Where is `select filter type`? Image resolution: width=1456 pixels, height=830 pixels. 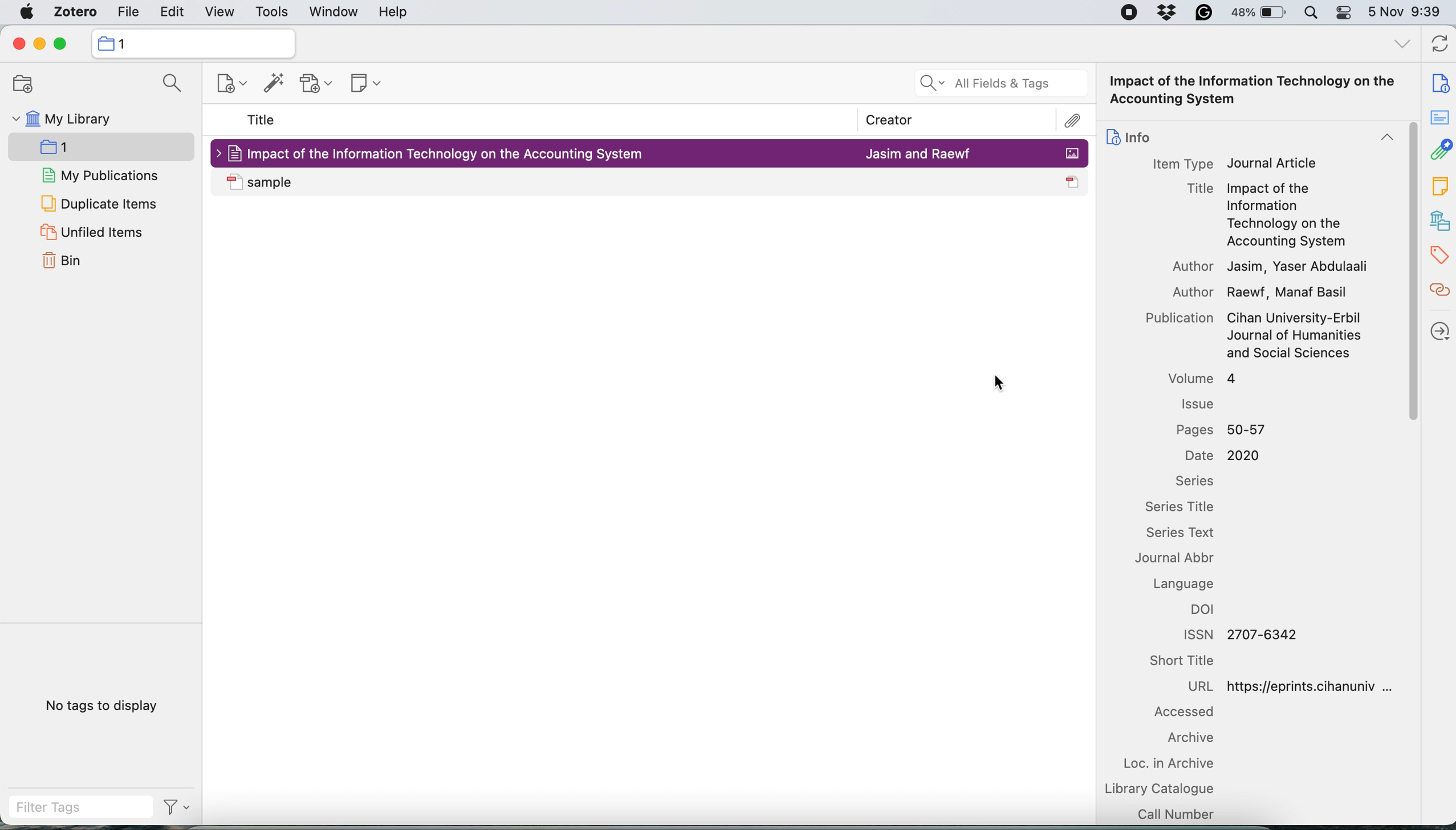 select filter type is located at coordinates (178, 809).